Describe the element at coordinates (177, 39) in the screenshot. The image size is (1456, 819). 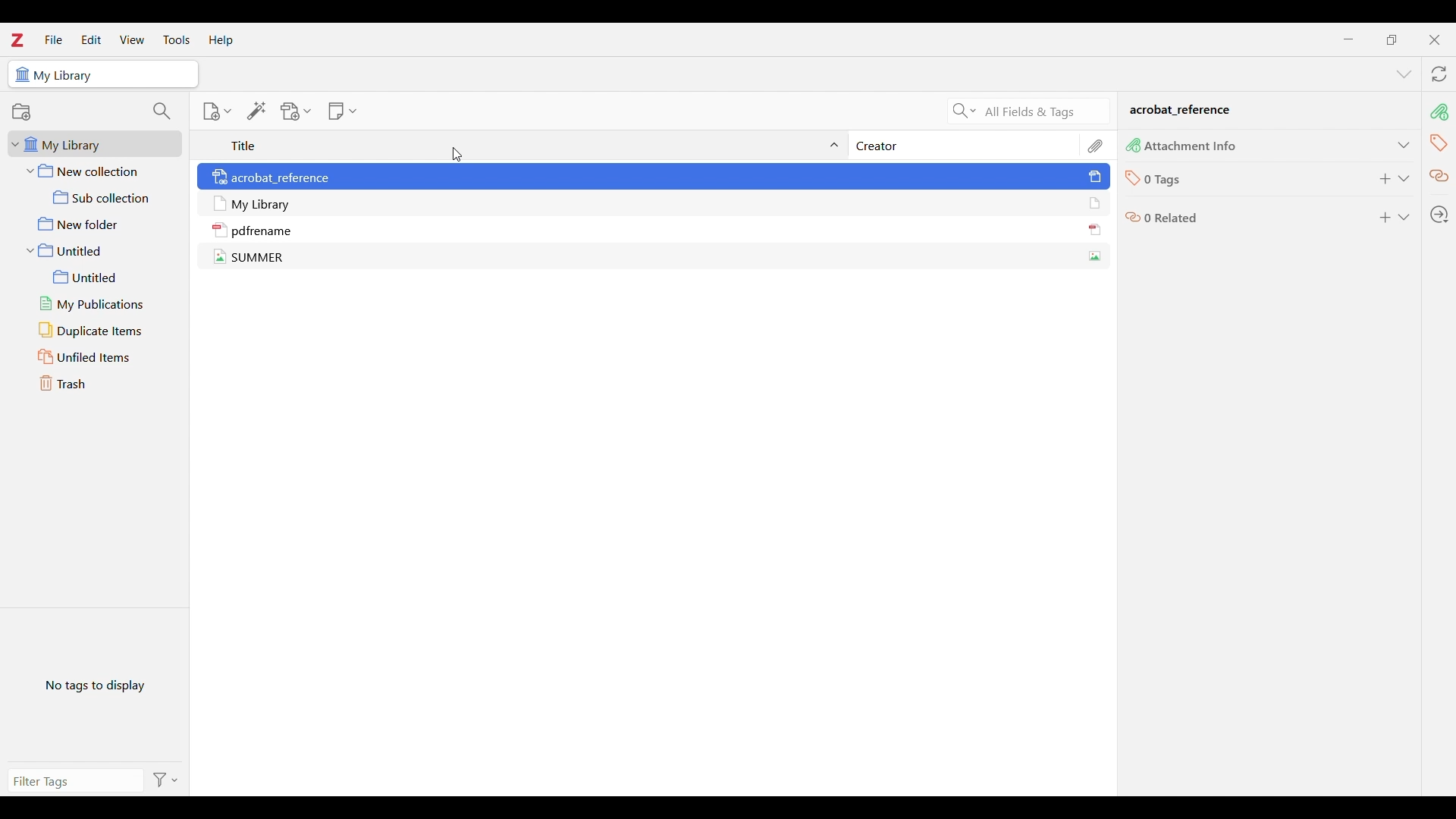
I see `Tools menu` at that location.